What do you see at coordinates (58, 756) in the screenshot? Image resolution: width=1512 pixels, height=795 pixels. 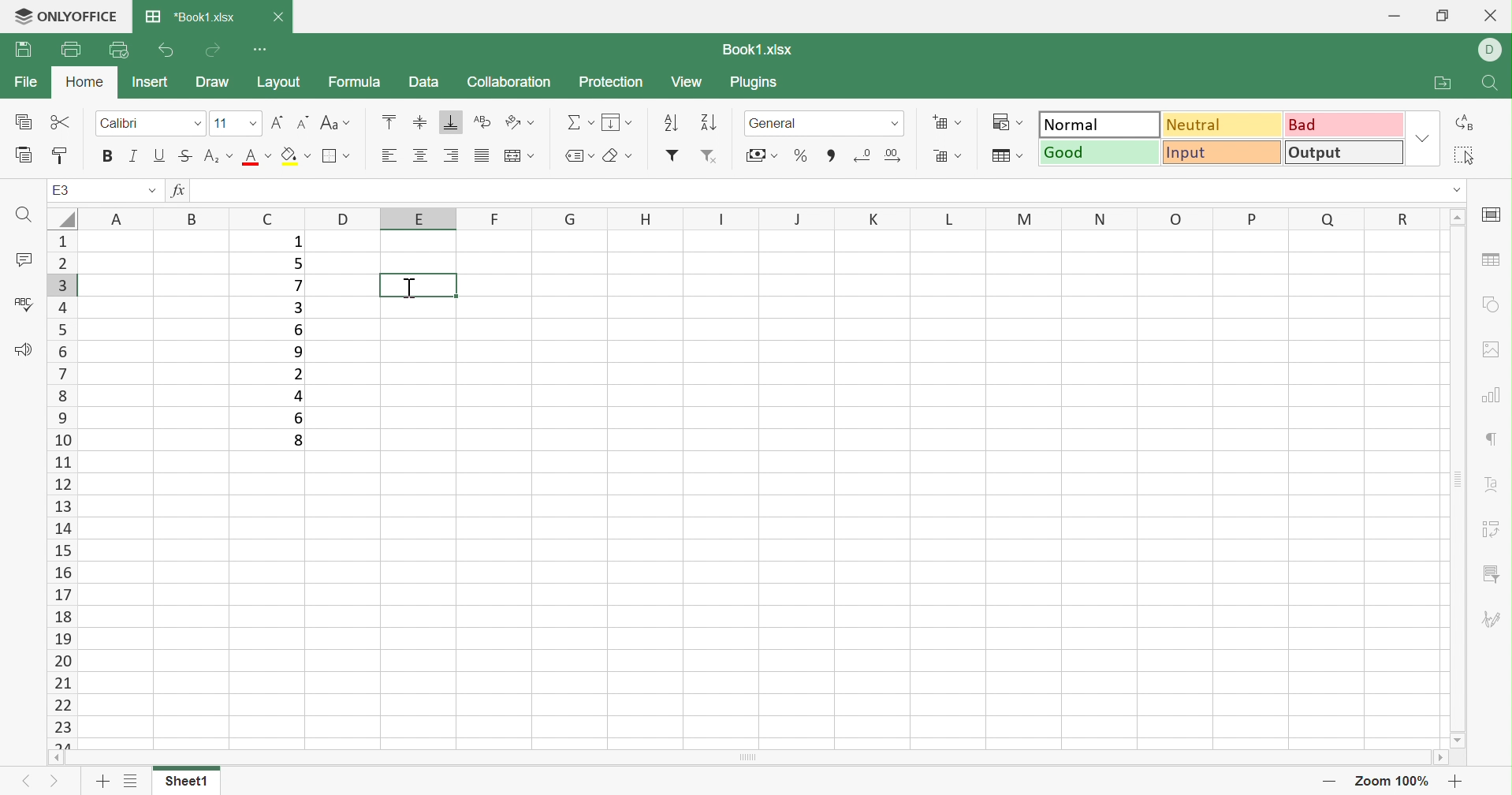 I see `Scroll Left` at bounding box center [58, 756].